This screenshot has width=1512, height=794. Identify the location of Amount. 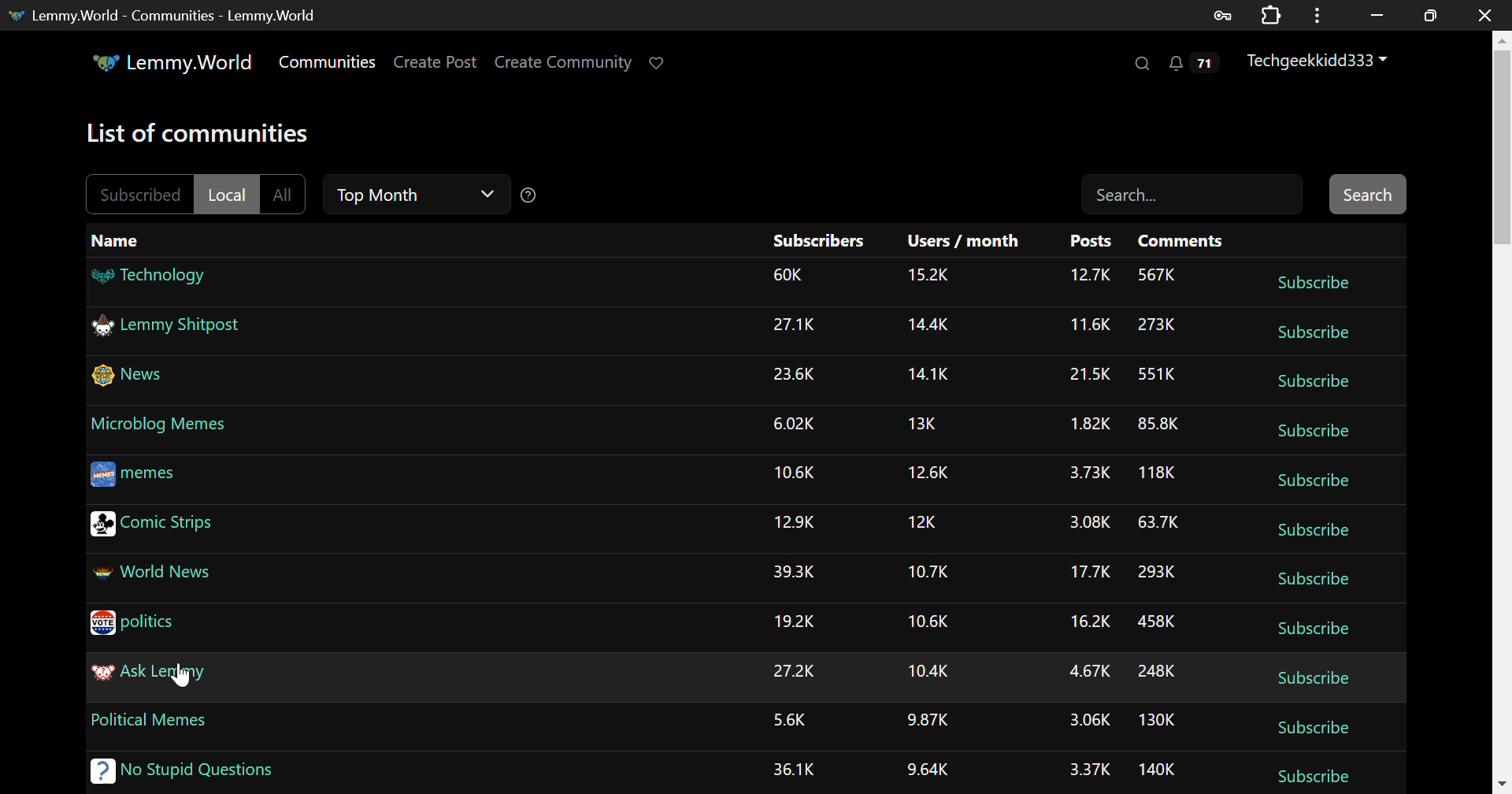
(928, 475).